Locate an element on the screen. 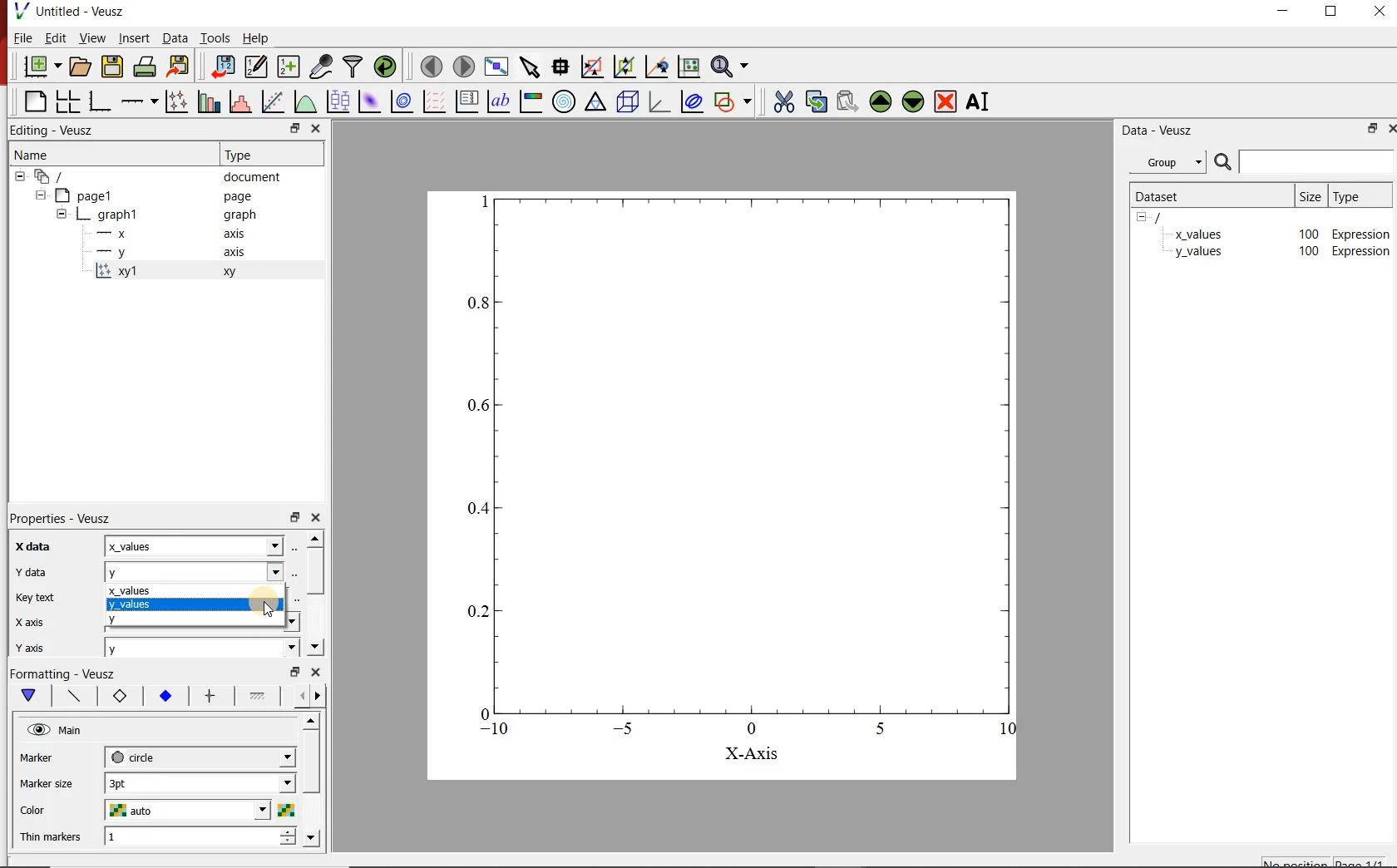  group is located at coordinates (1165, 162).